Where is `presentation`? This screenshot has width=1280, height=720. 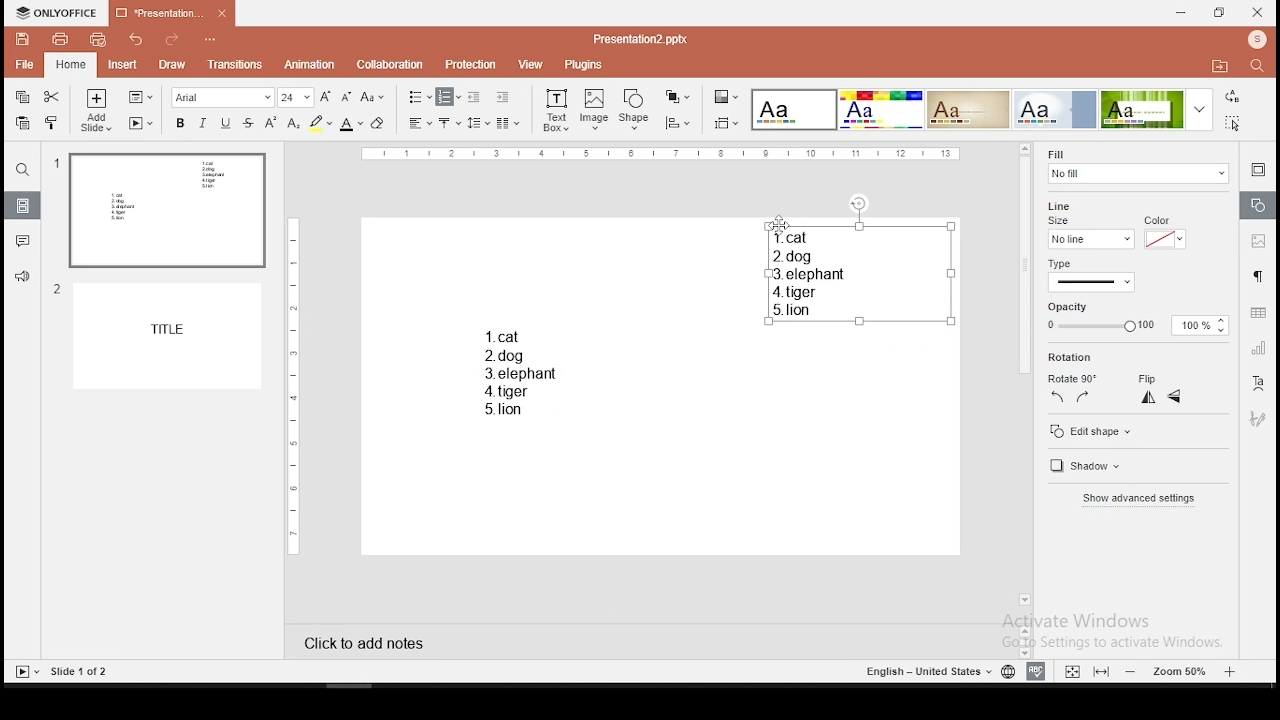
presentation is located at coordinates (172, 14).